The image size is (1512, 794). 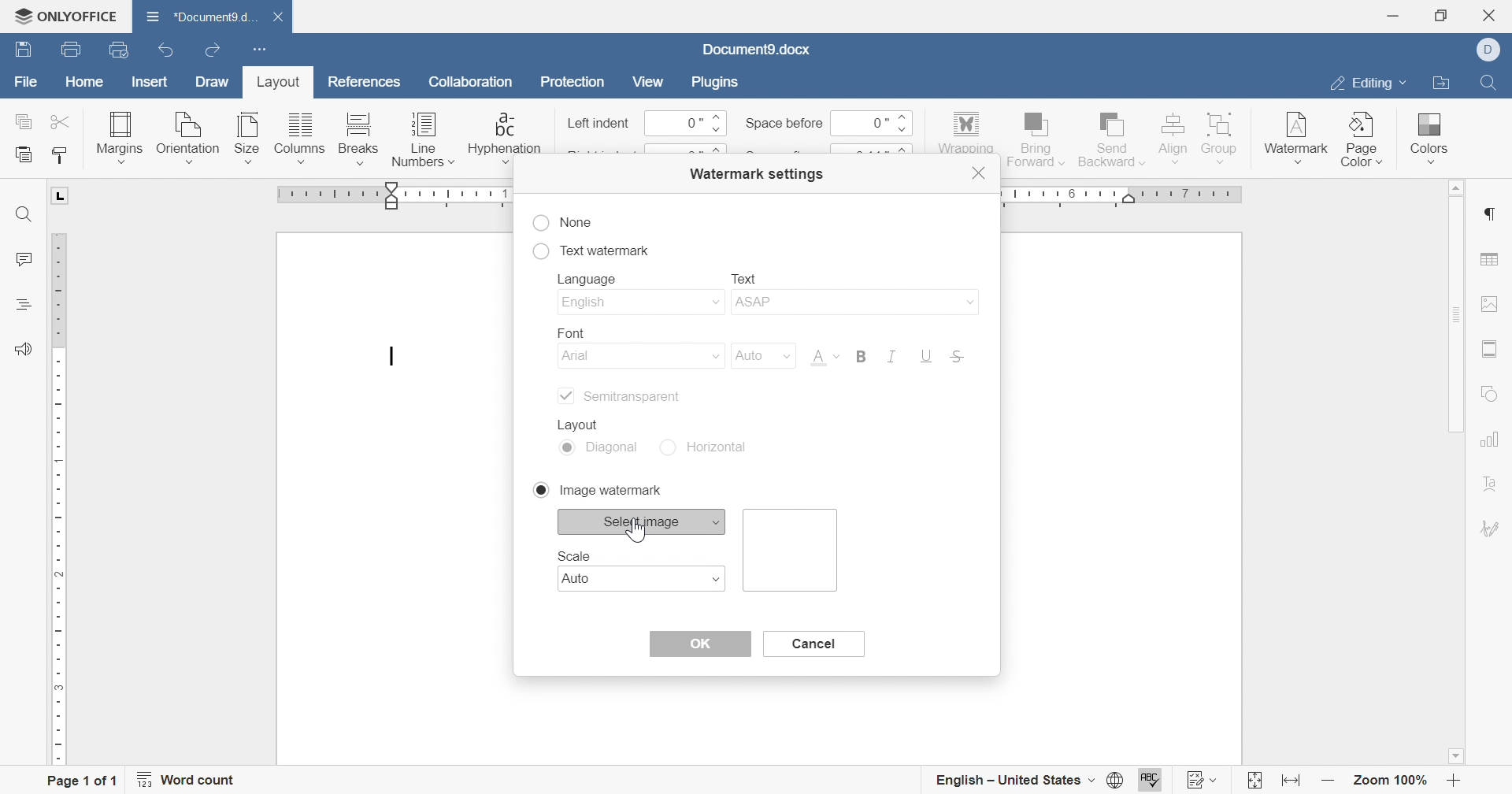 What do you see at coordinates (24, 215) in the screenshot?
I see `find` at bounding box center [24, 215].